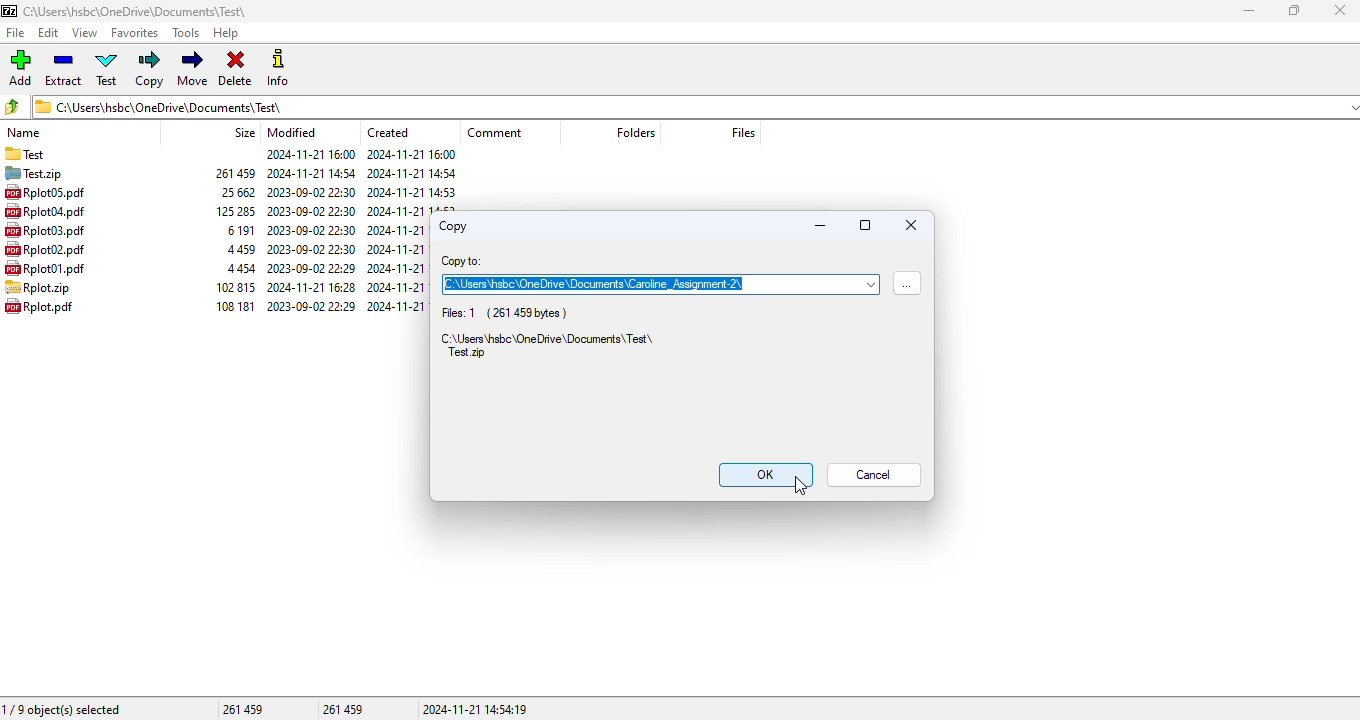 The width and height of the screenshot is (1360, 720). Describe the element at coordinates (25, 154) in the screenshot. I see `folder name` at that location.